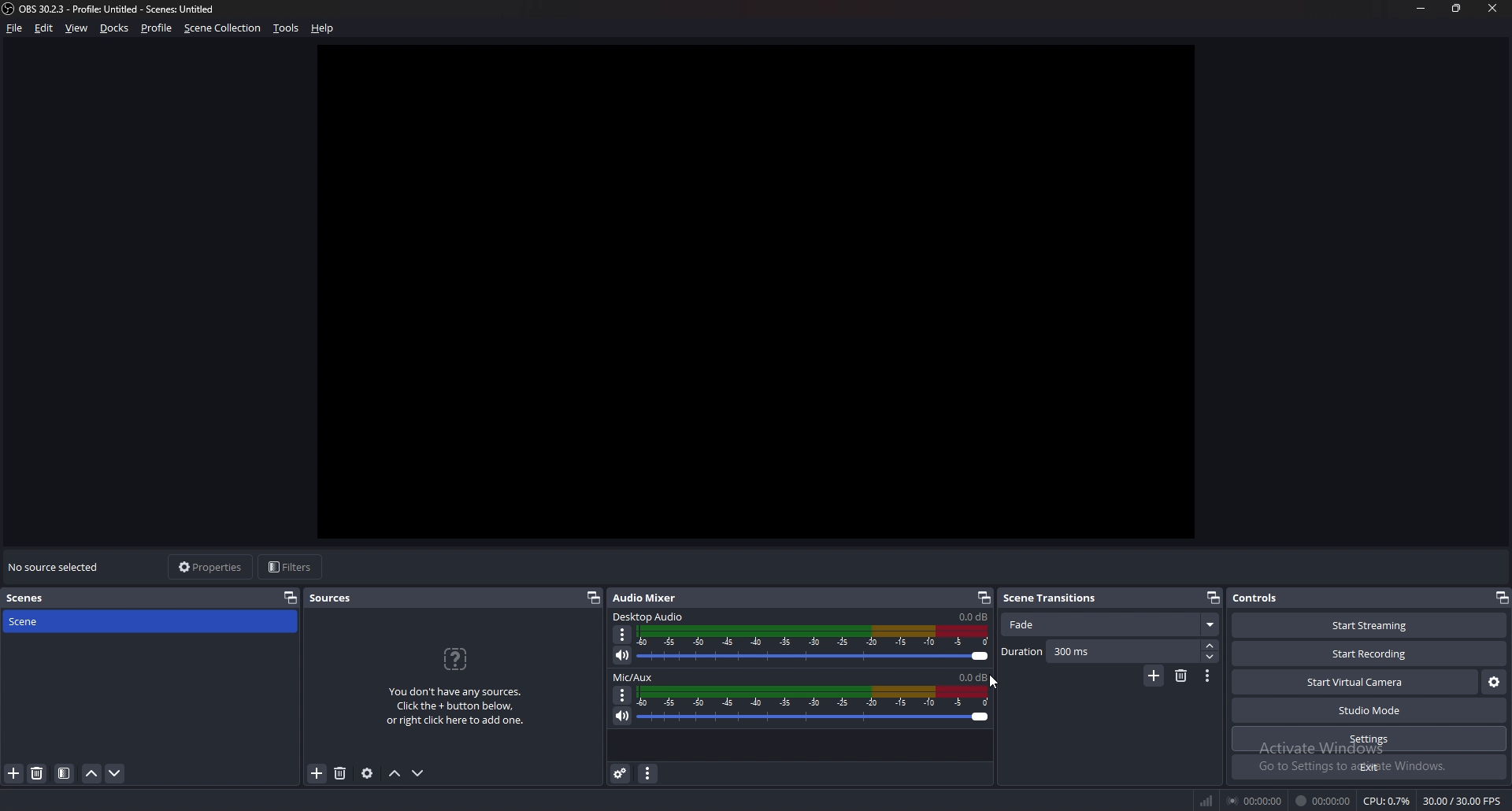 The image size is (1512, 811). What do you see at coordinates (622, 635) in the screenshot?
I see `options` at bounding box center [622, 635].